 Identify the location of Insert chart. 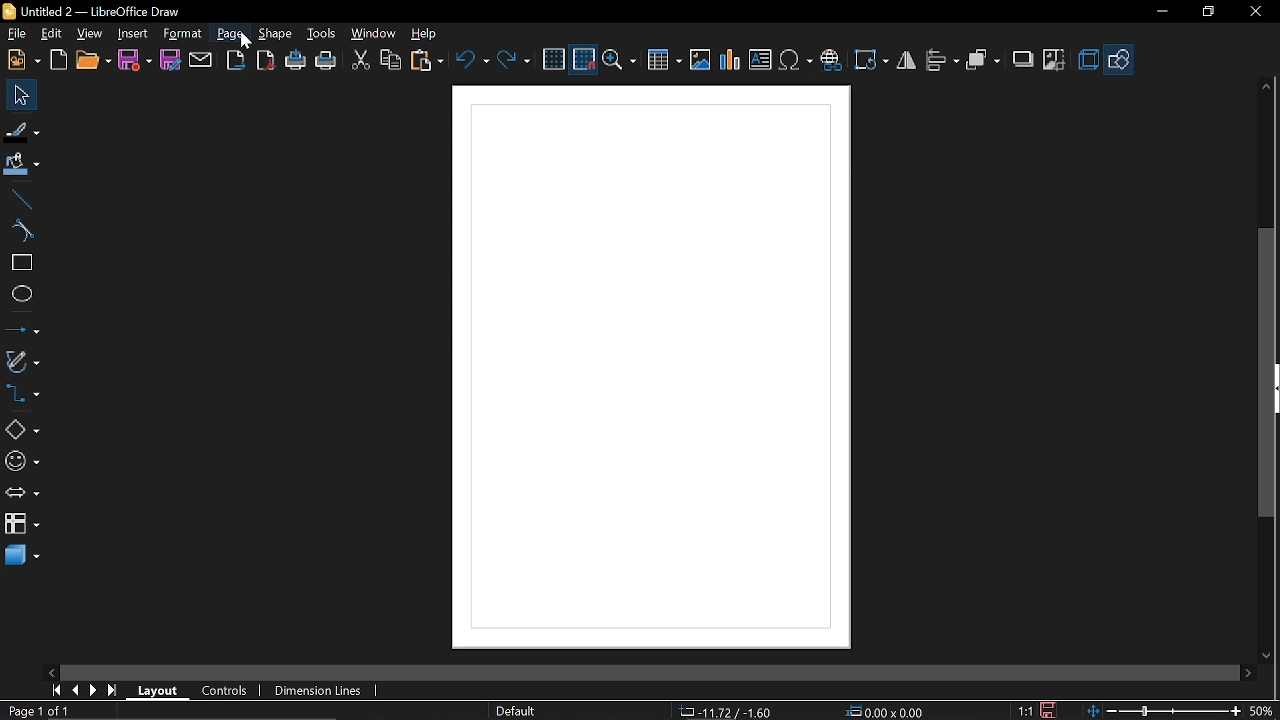
(730, 62).